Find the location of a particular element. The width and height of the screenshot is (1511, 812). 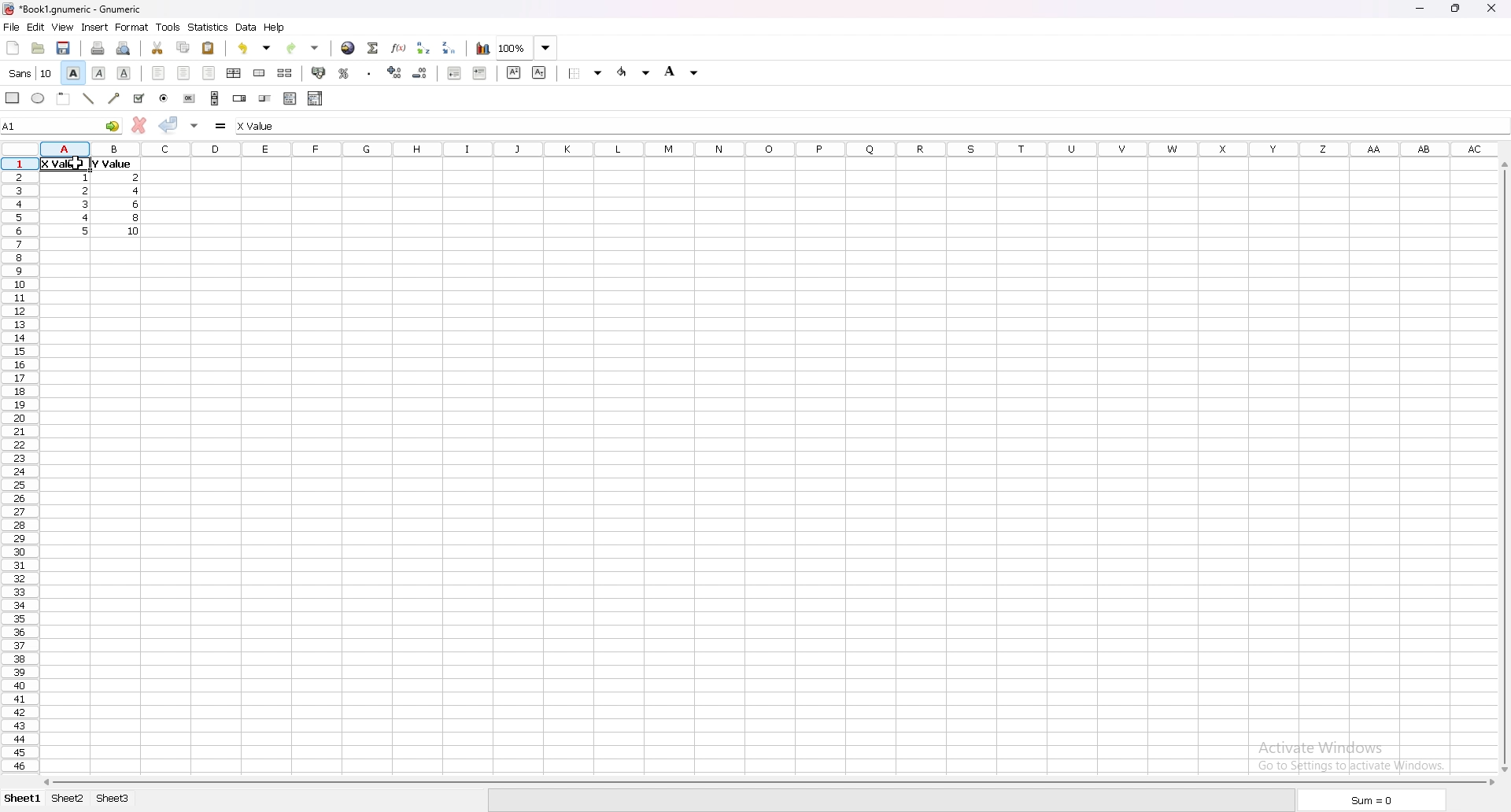

statistics is located at coordinates (209, 27).